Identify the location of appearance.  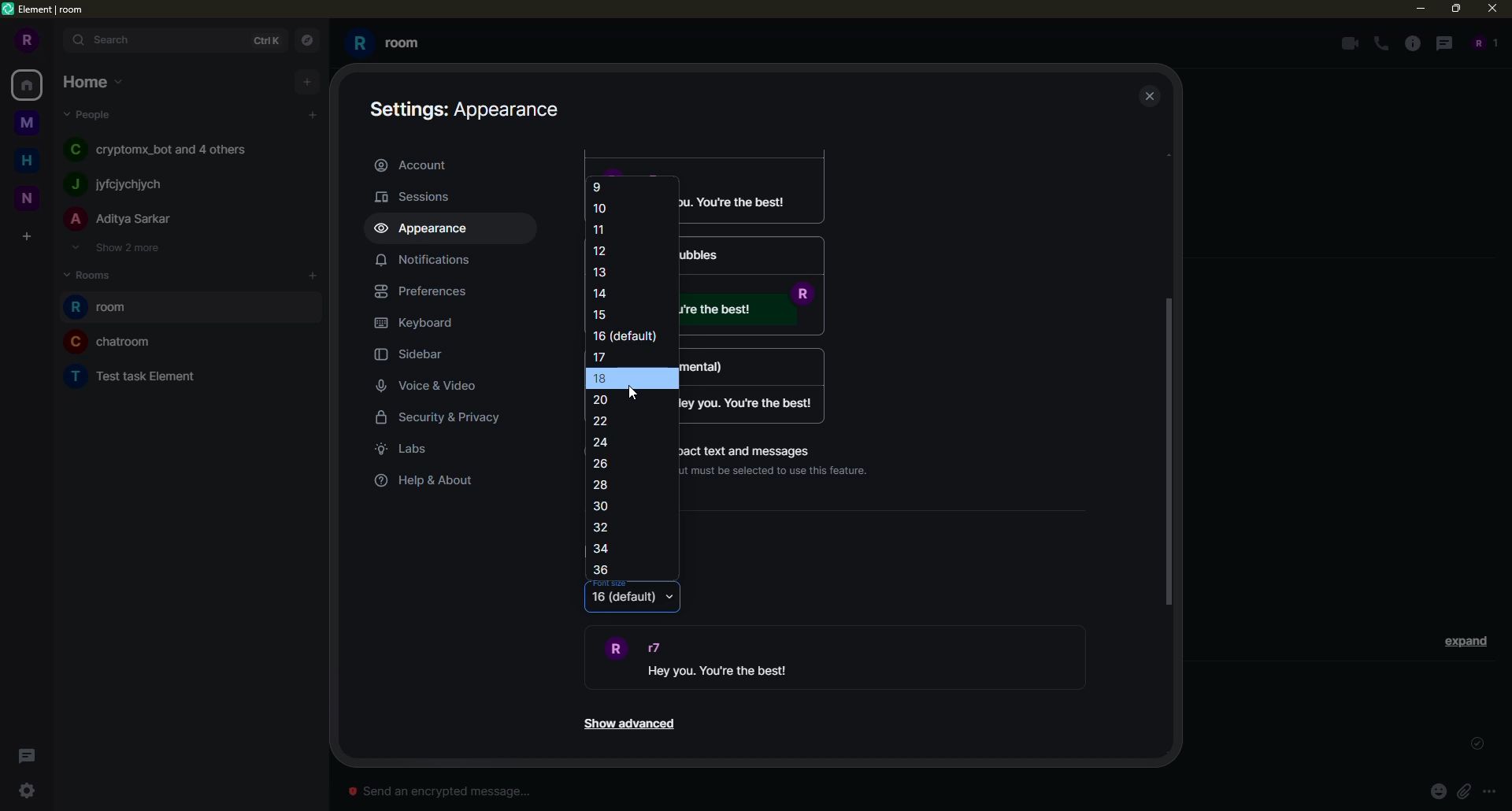
(469, 107).